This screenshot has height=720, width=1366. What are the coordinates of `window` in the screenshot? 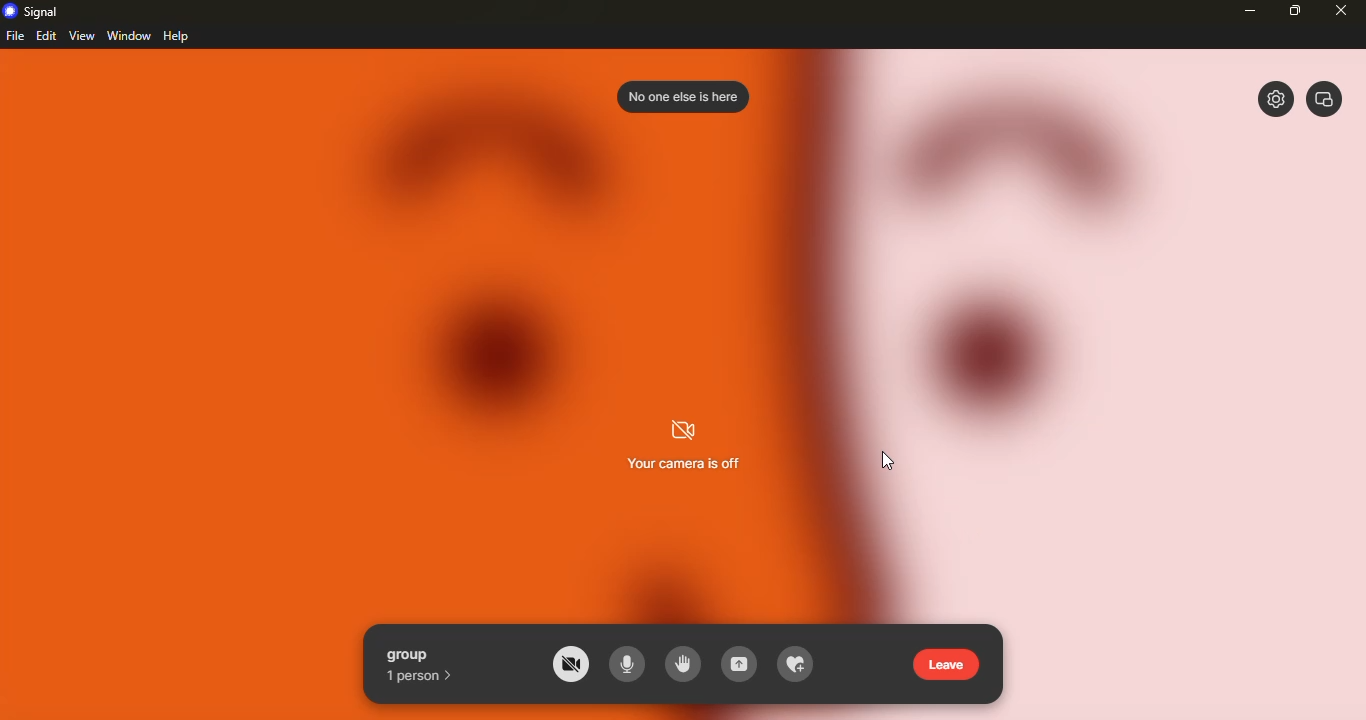 It's located at (130, 36).